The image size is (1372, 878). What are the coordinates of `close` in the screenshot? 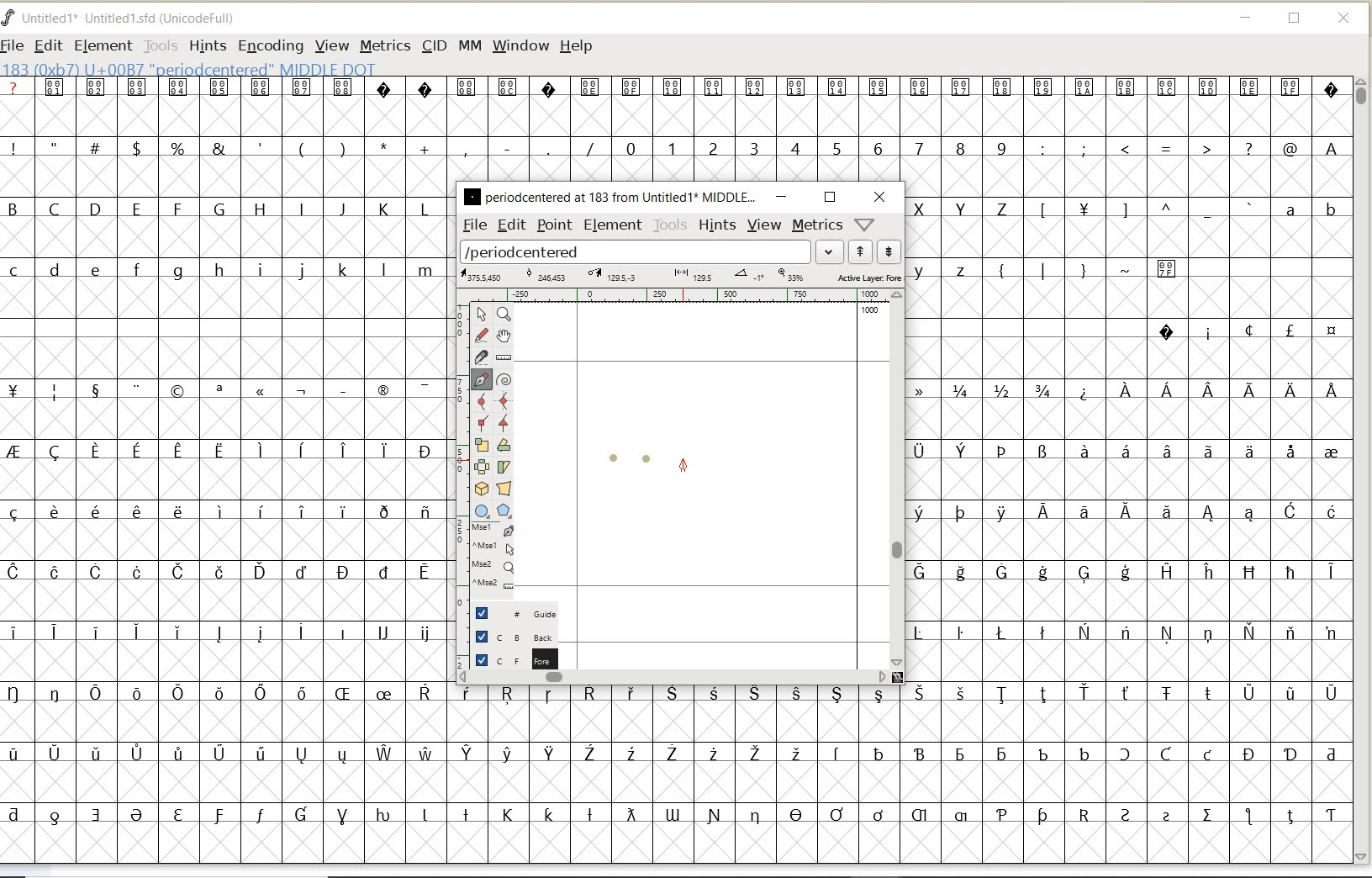 It's located at (879, 197).